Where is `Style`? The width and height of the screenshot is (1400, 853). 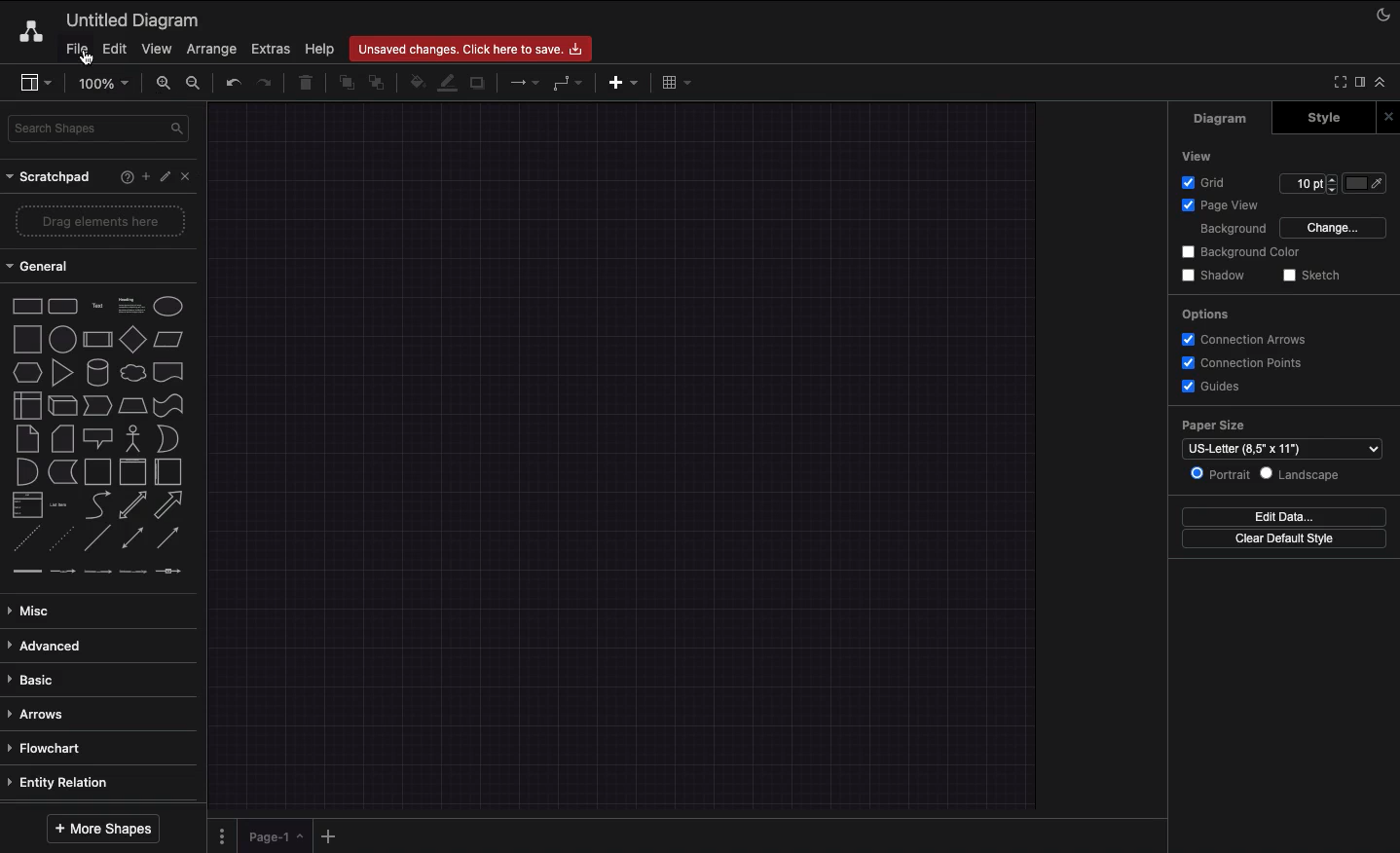
Style is located at coordinates (1326, 117).